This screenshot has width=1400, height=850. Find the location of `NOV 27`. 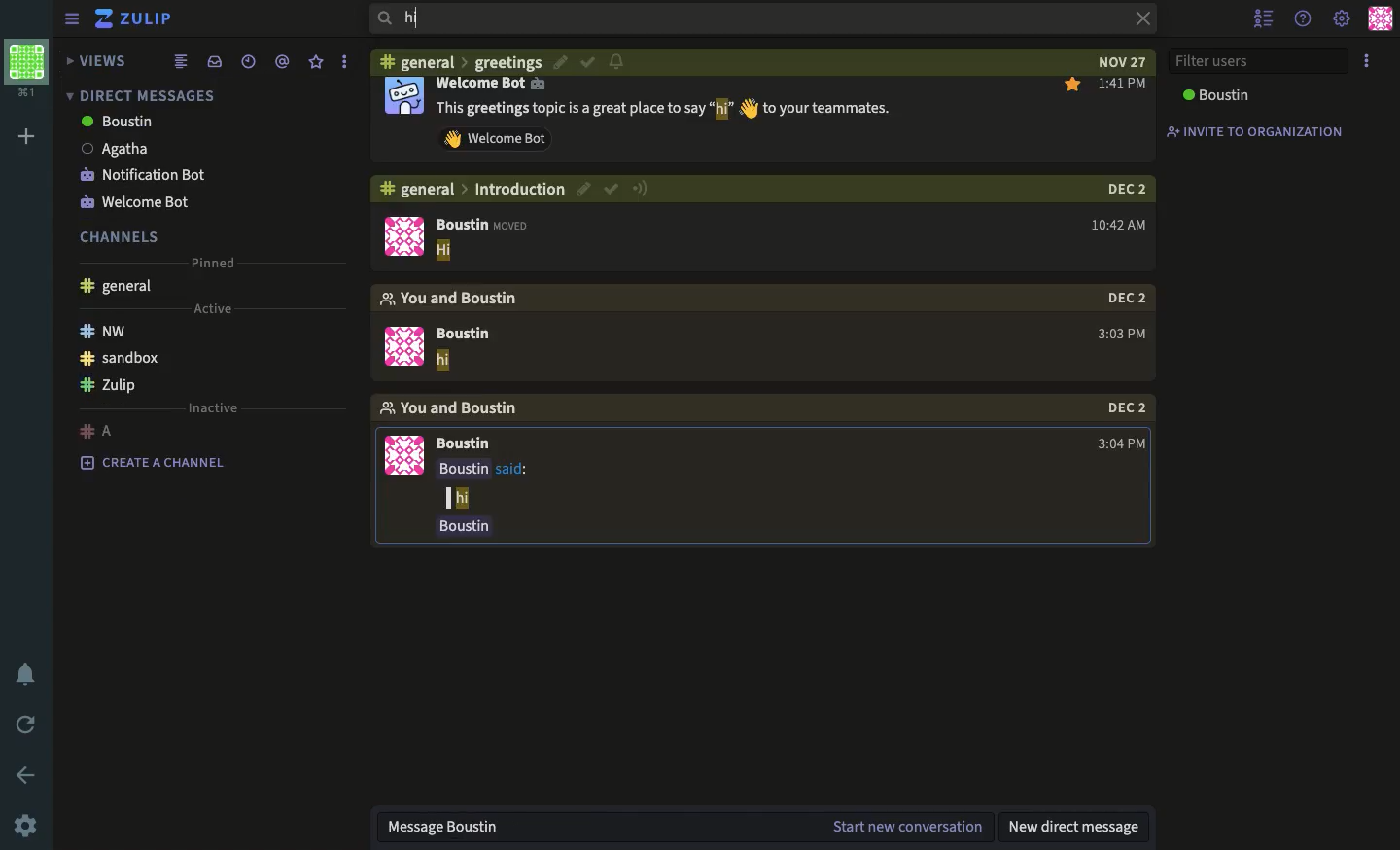

NOV 27 is located at coordinates (1111, 62).